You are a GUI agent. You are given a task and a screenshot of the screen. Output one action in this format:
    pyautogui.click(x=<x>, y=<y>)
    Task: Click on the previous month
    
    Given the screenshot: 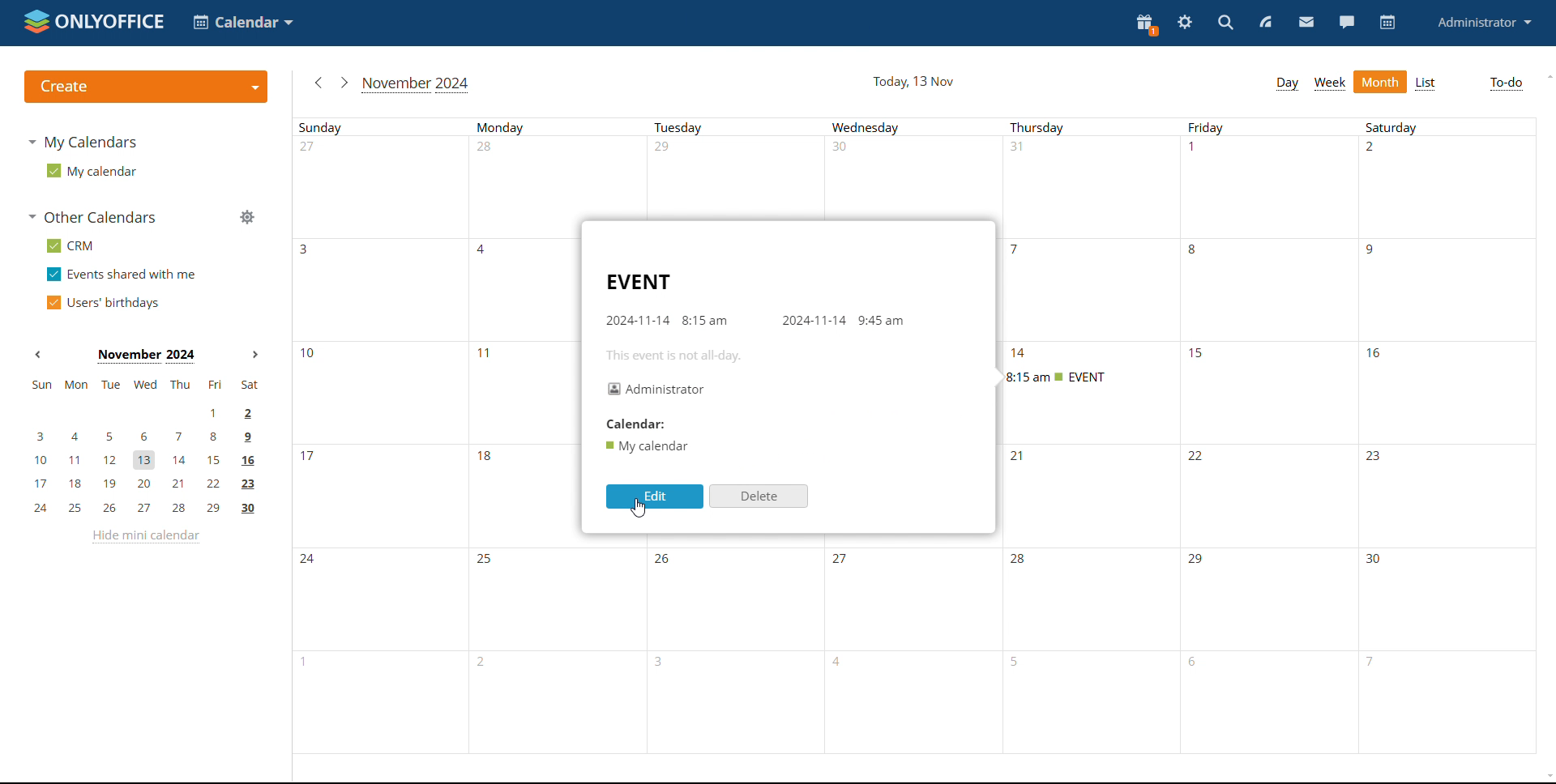 What is the action you would take?
    pyautogui.click(x=38, y=354)
    